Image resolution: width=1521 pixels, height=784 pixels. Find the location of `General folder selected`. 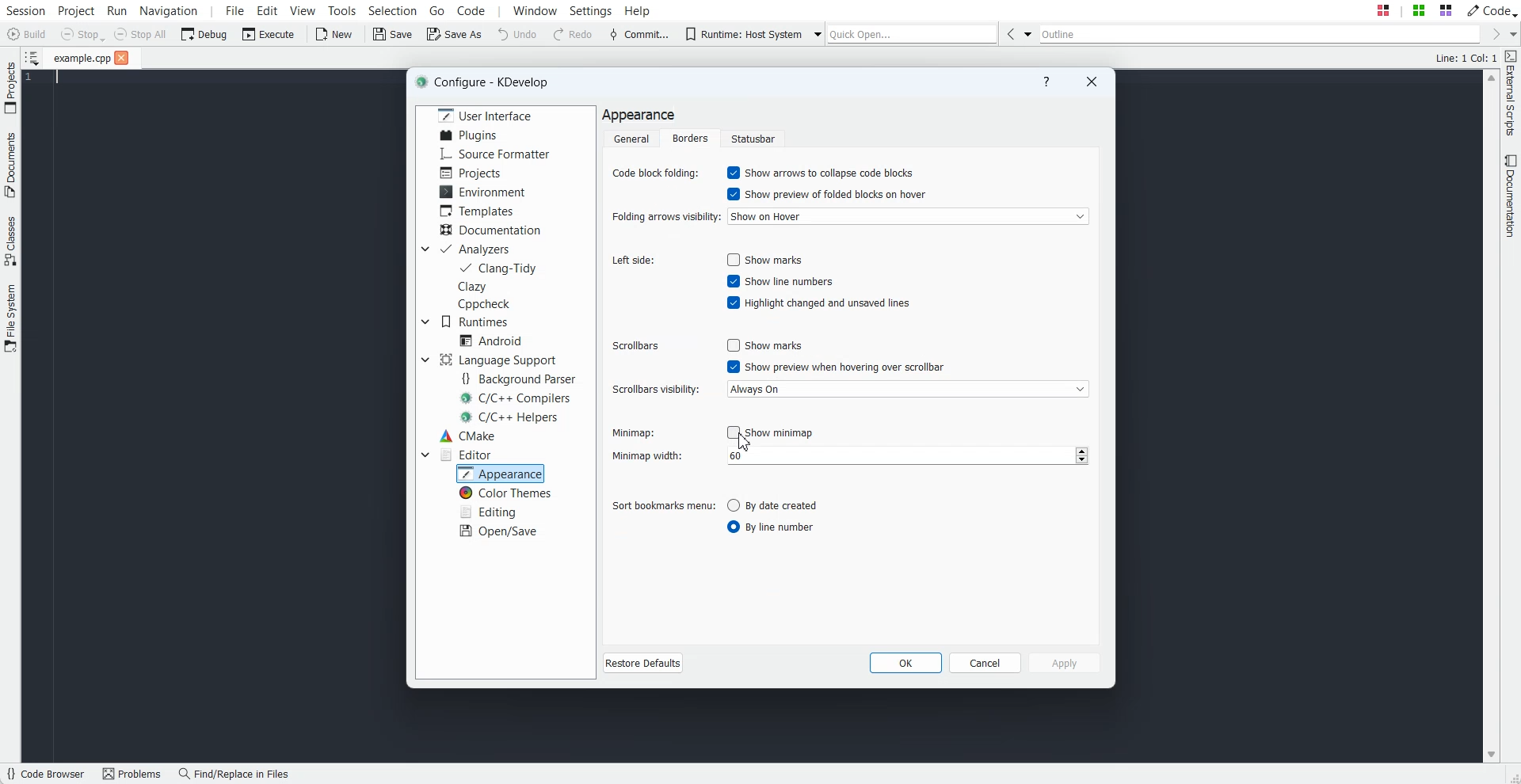

General folder selected is located at coordinates (630, 138).